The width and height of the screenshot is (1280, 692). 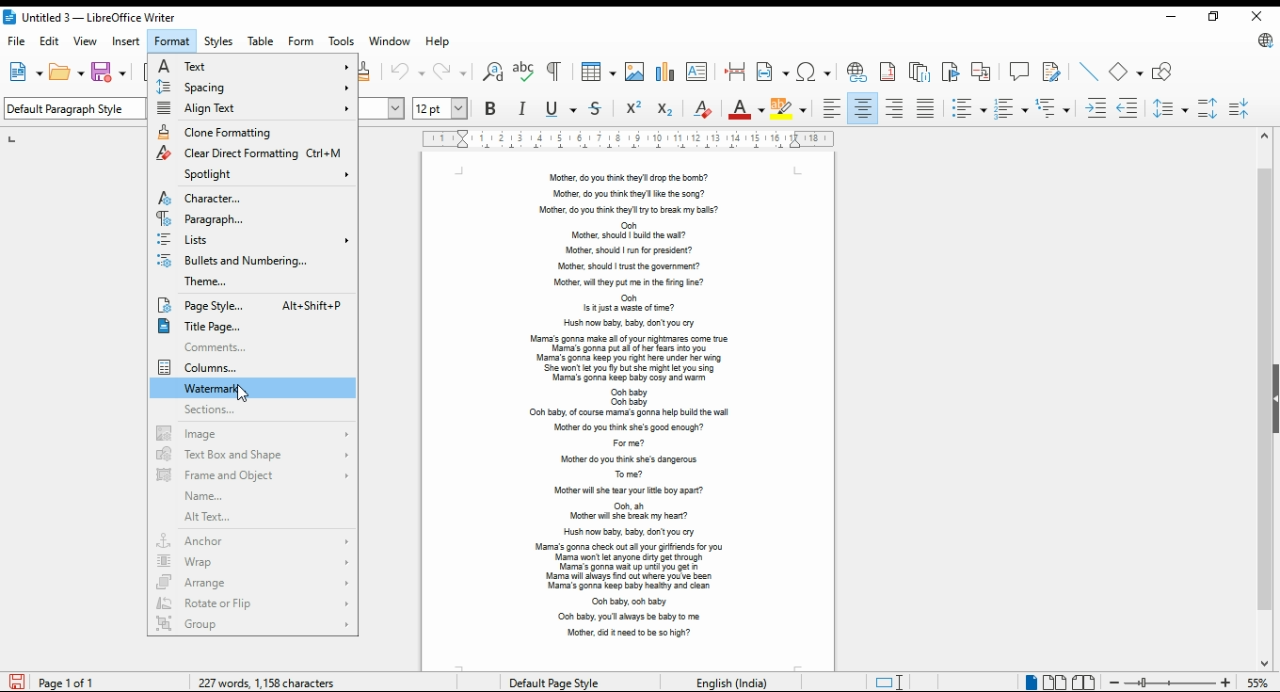 What do you see at coordinates (66, 72) in the screenshot?
I see `open` at bounding box center [66, 72].